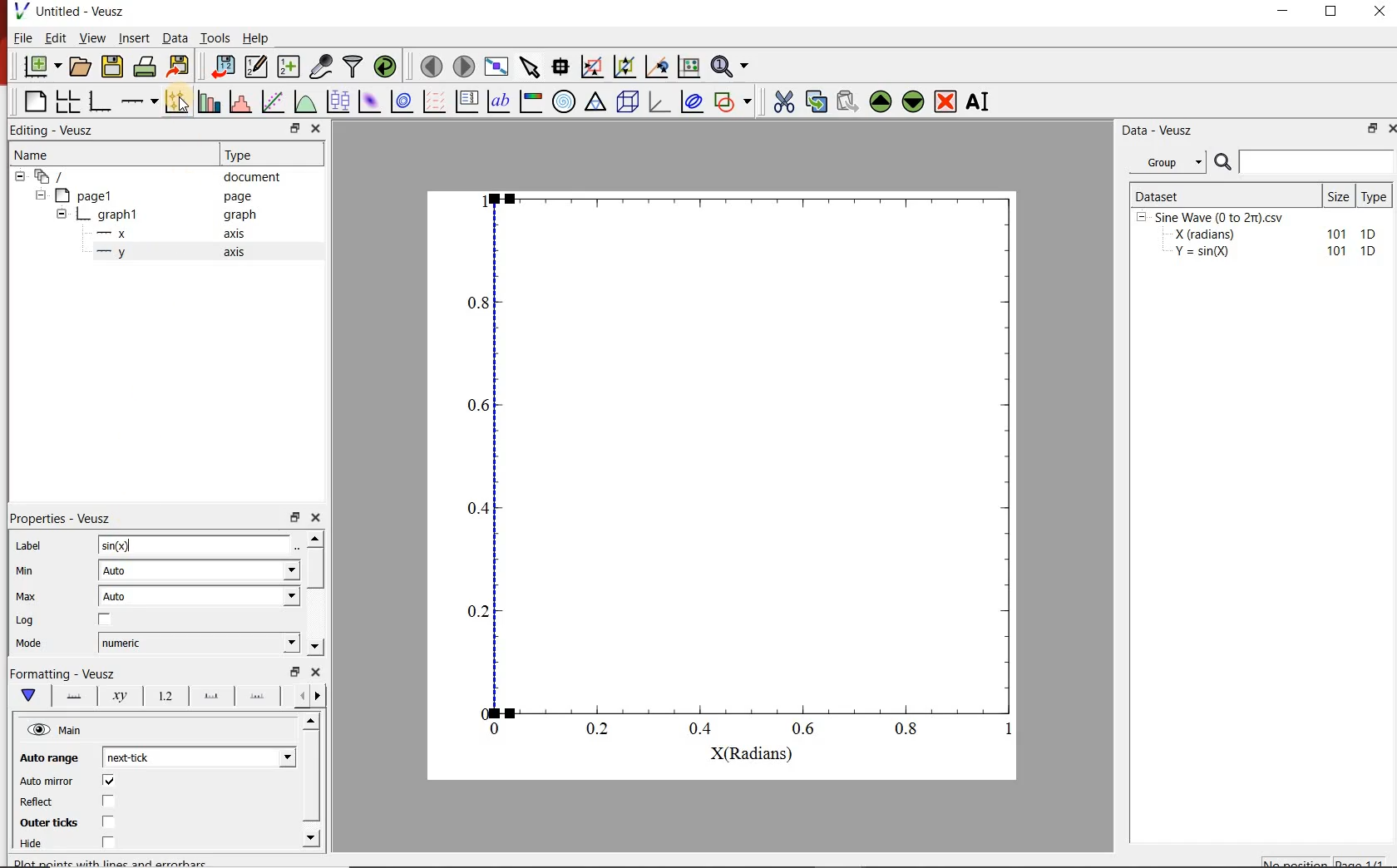 Image resolution: width=1397 pixels, height=868 pixels. I want to click on read data points, so click(560, 65).